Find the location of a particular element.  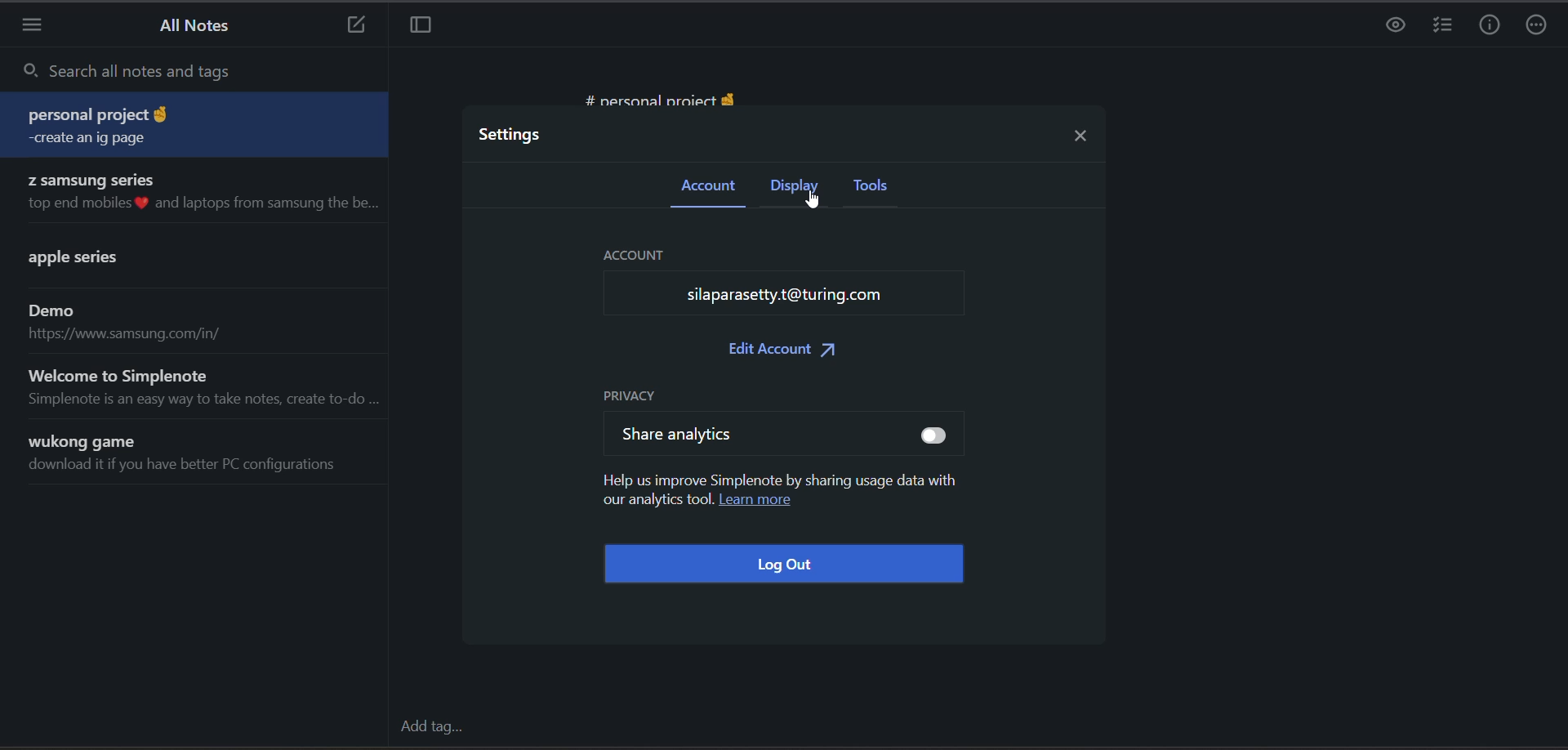

share analytics is located at coordinates (793, 435).